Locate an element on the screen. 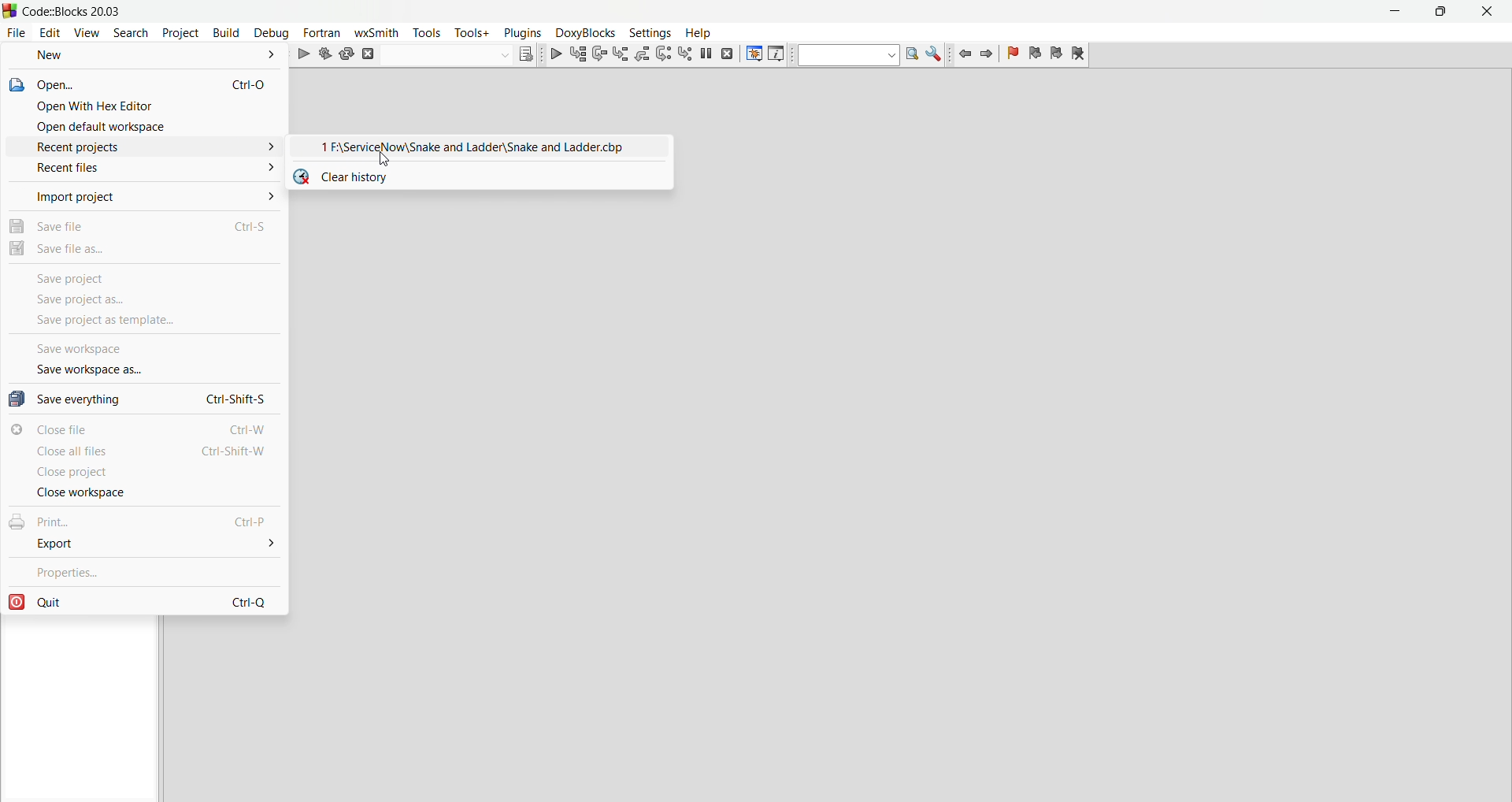 The image size is (1512, 802). recent files is located at coordinates (145, 169).